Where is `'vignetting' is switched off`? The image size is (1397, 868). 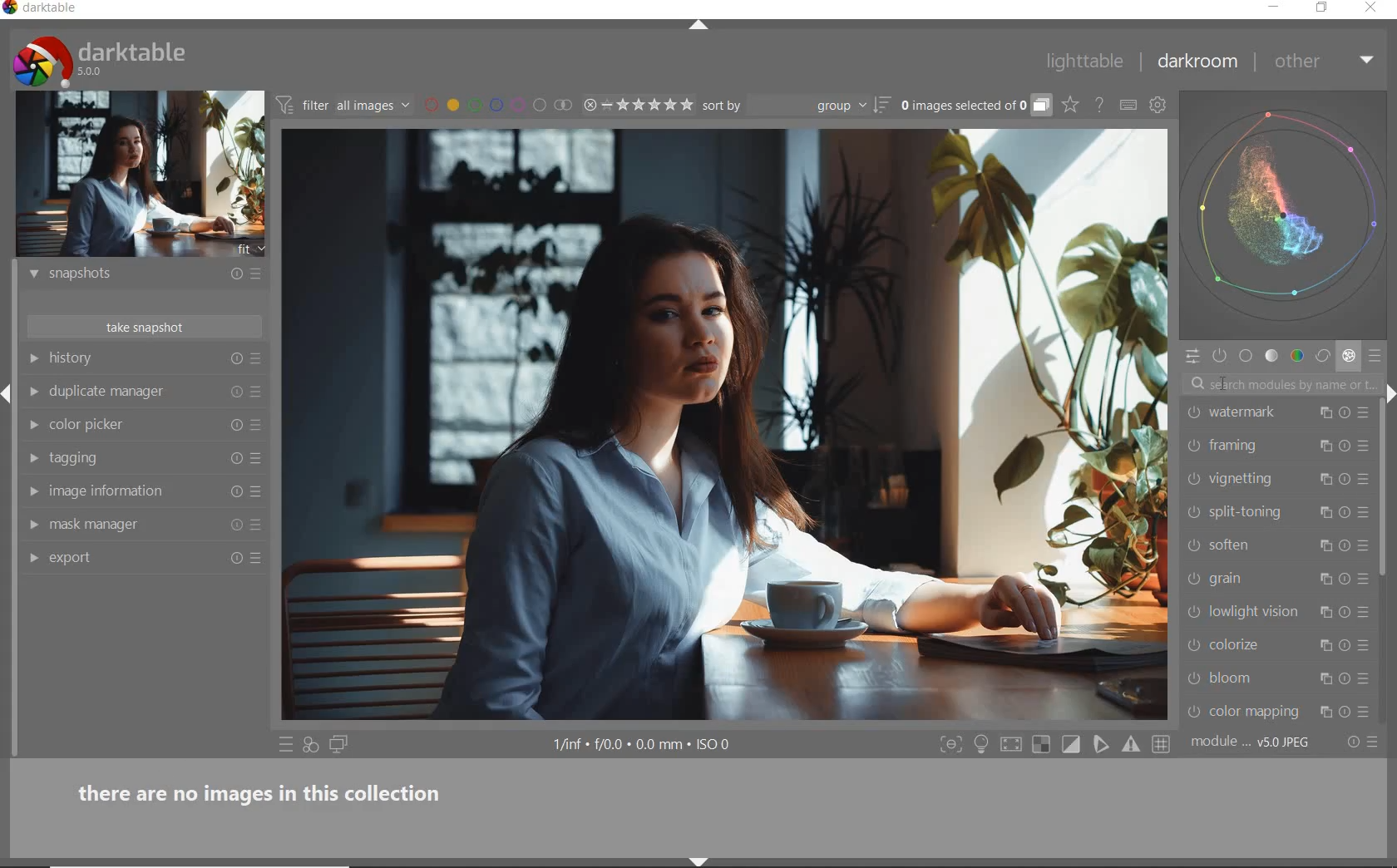 'vignetting' is switched off is located at coordinates (1193, 478).